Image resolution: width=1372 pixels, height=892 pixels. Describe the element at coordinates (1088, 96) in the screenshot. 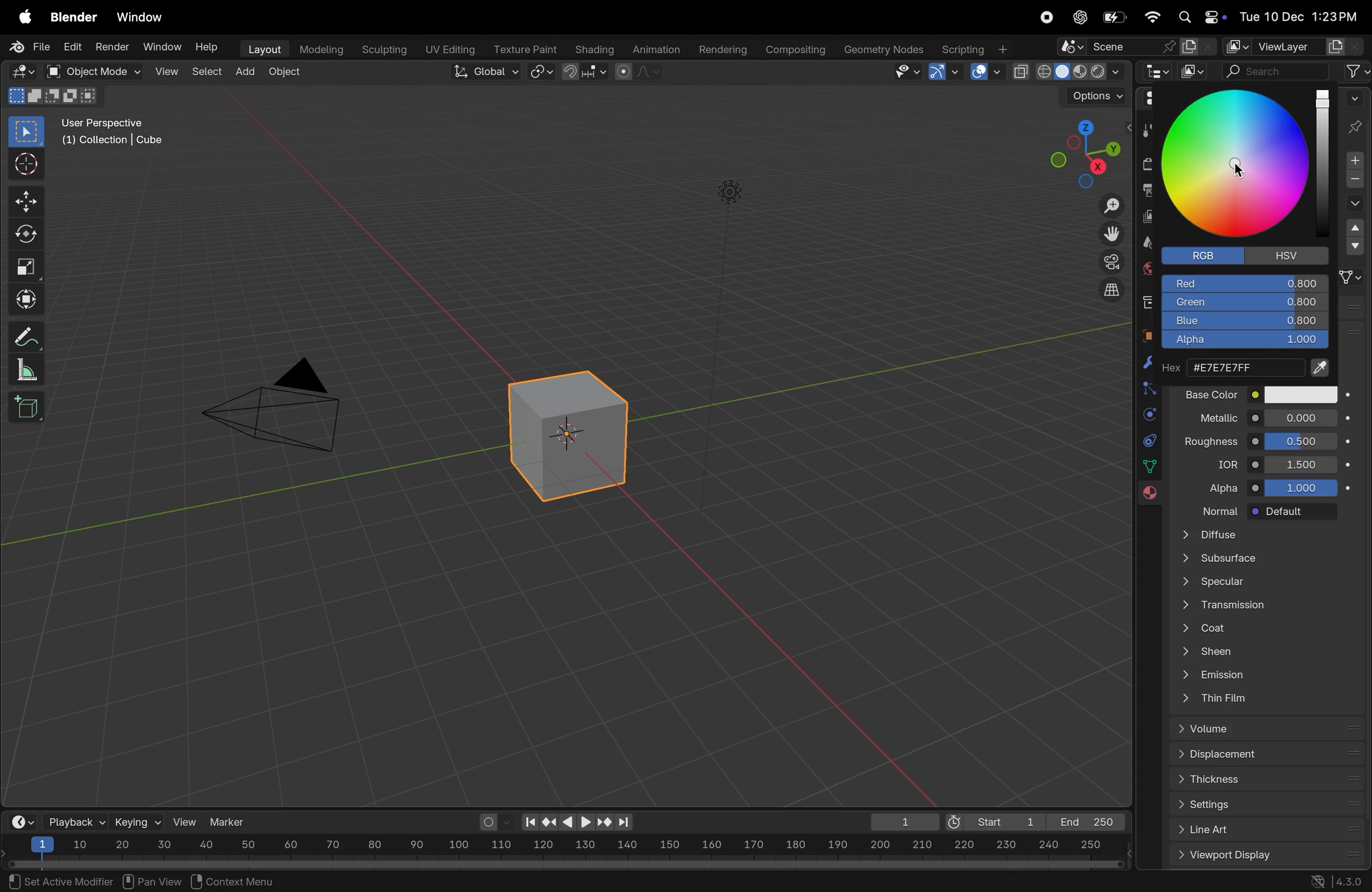

I see `options` at that location.